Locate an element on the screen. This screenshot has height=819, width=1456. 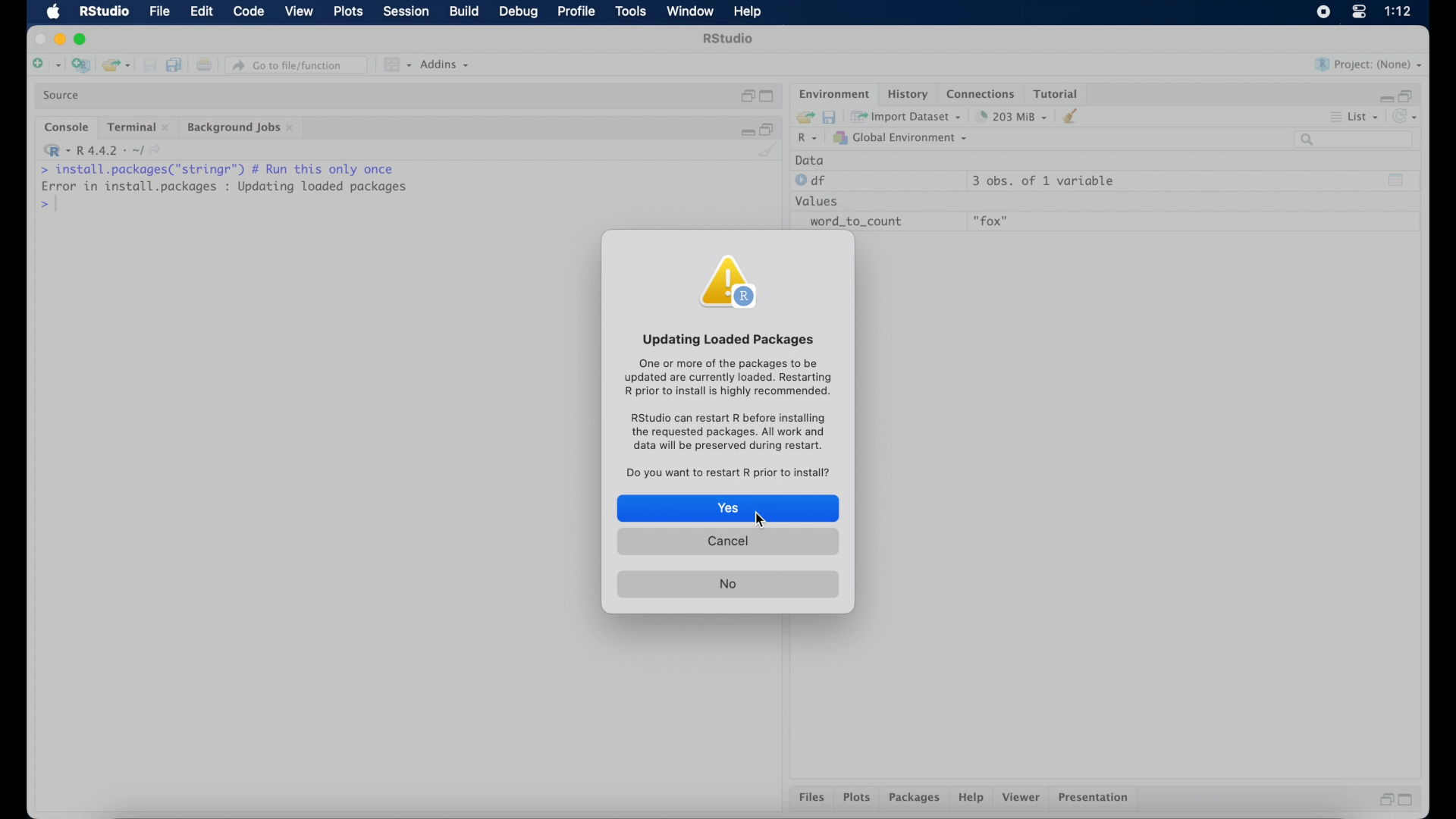
create new project is located at coordinates (80, 66).